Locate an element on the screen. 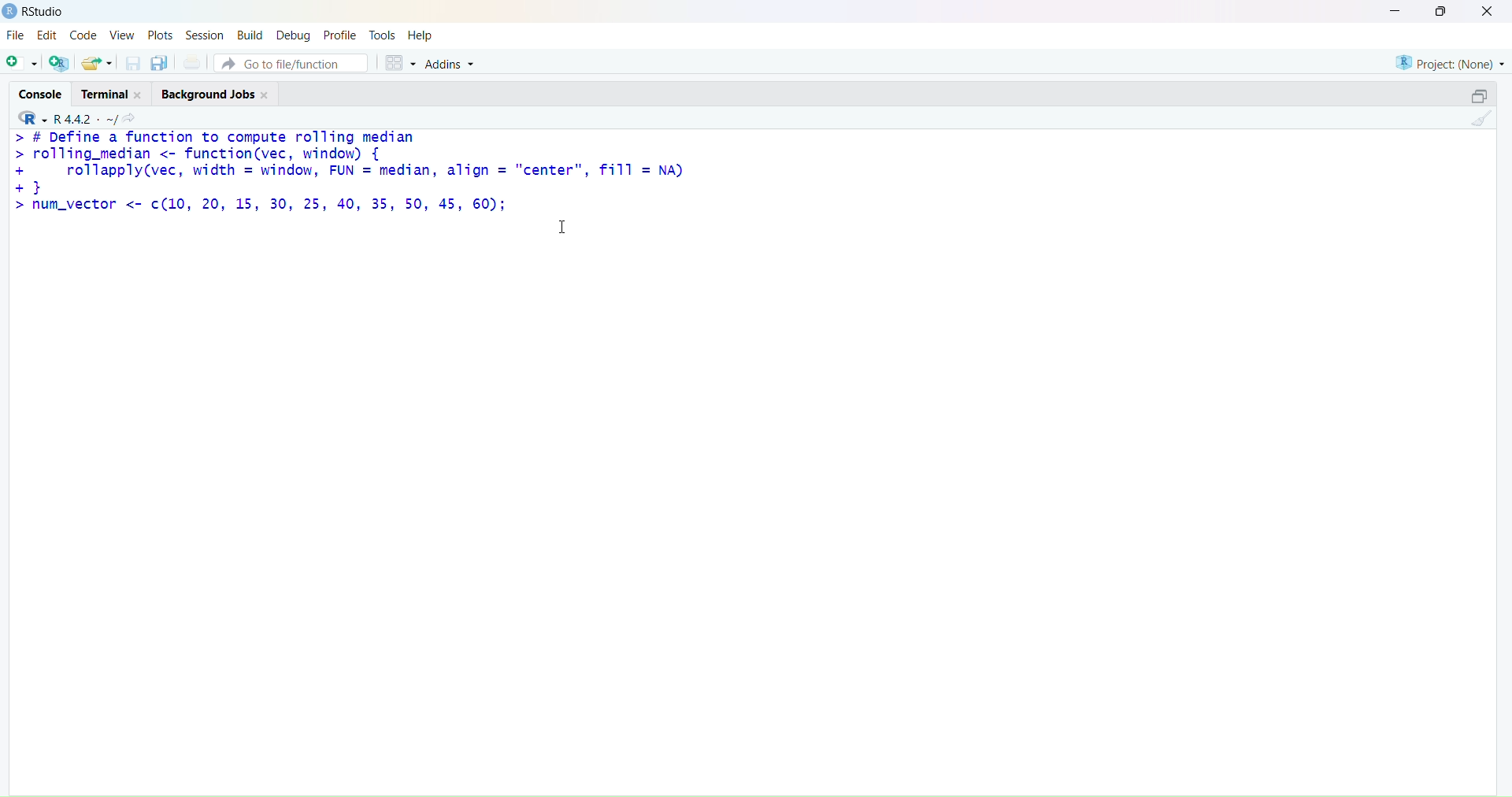  R 4.4.2 ~/ is located at coordinates (85, 119).